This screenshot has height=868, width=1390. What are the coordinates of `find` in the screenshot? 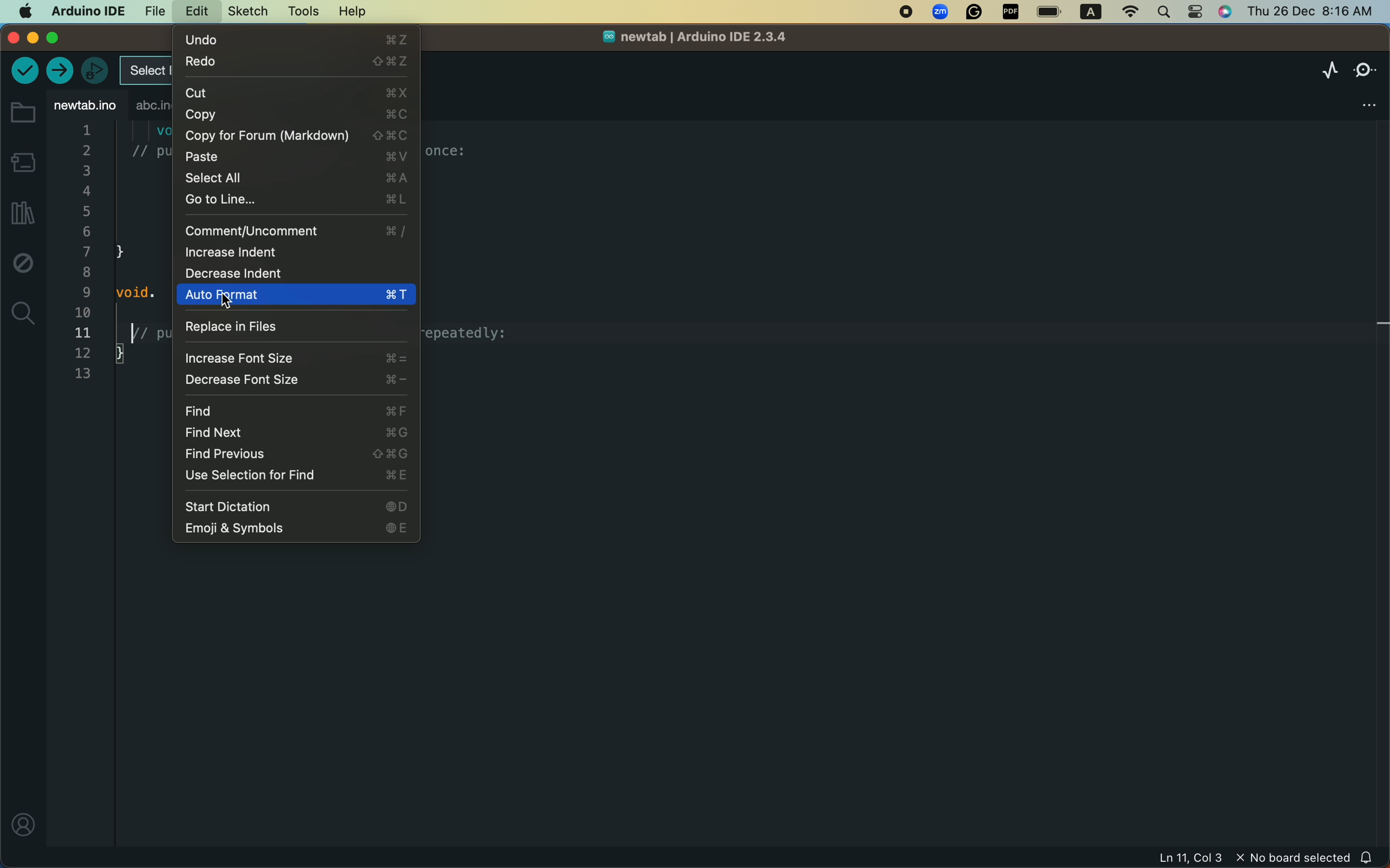 It's located at (299, 411).